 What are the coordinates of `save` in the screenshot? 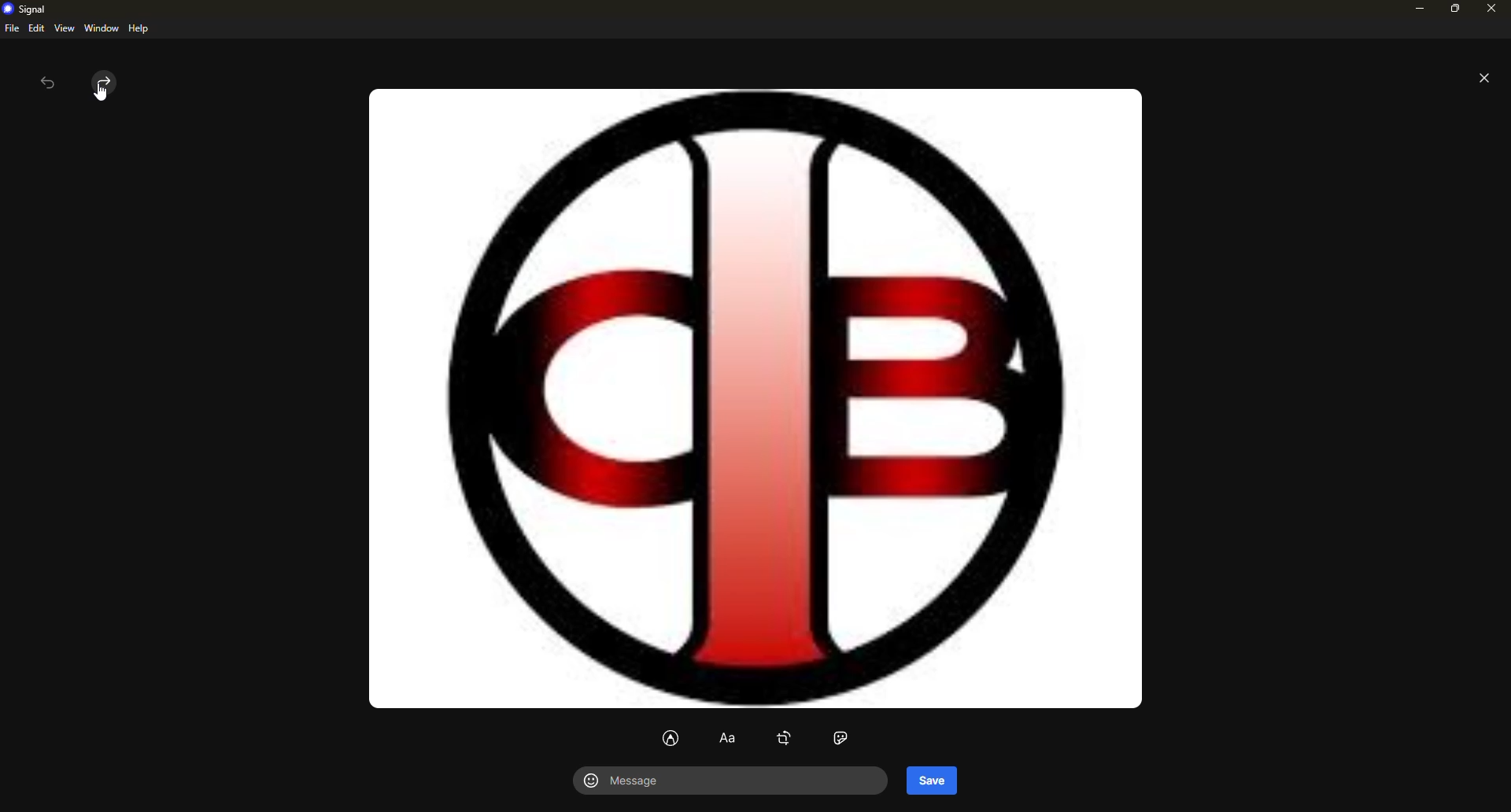 It's located at (932, 780).